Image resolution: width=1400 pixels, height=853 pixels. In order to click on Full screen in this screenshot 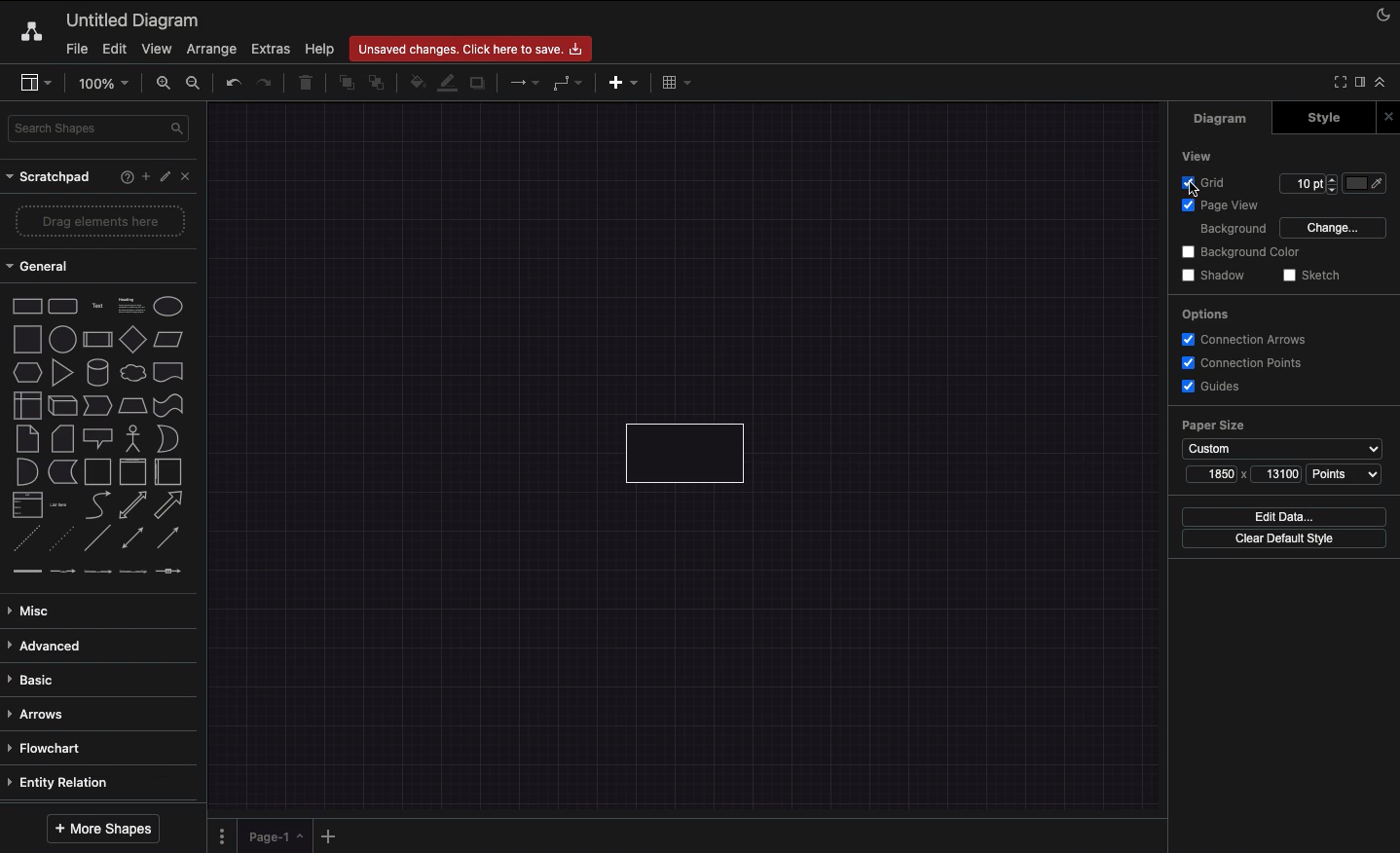, I will do `click(1338, 83)`.